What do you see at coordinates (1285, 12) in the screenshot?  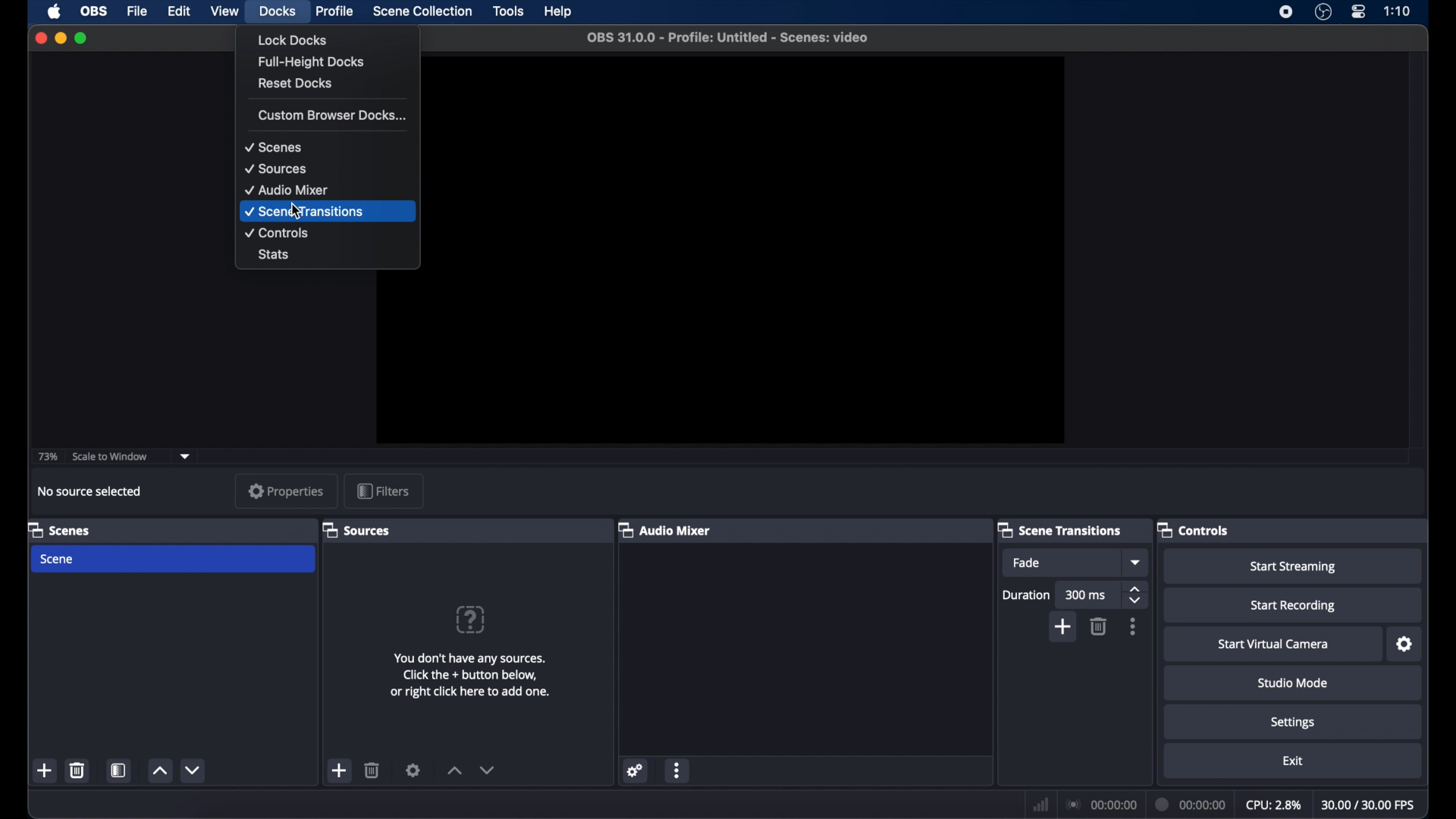 I see `screen recorder icon` at bounding box center [1285, 12].